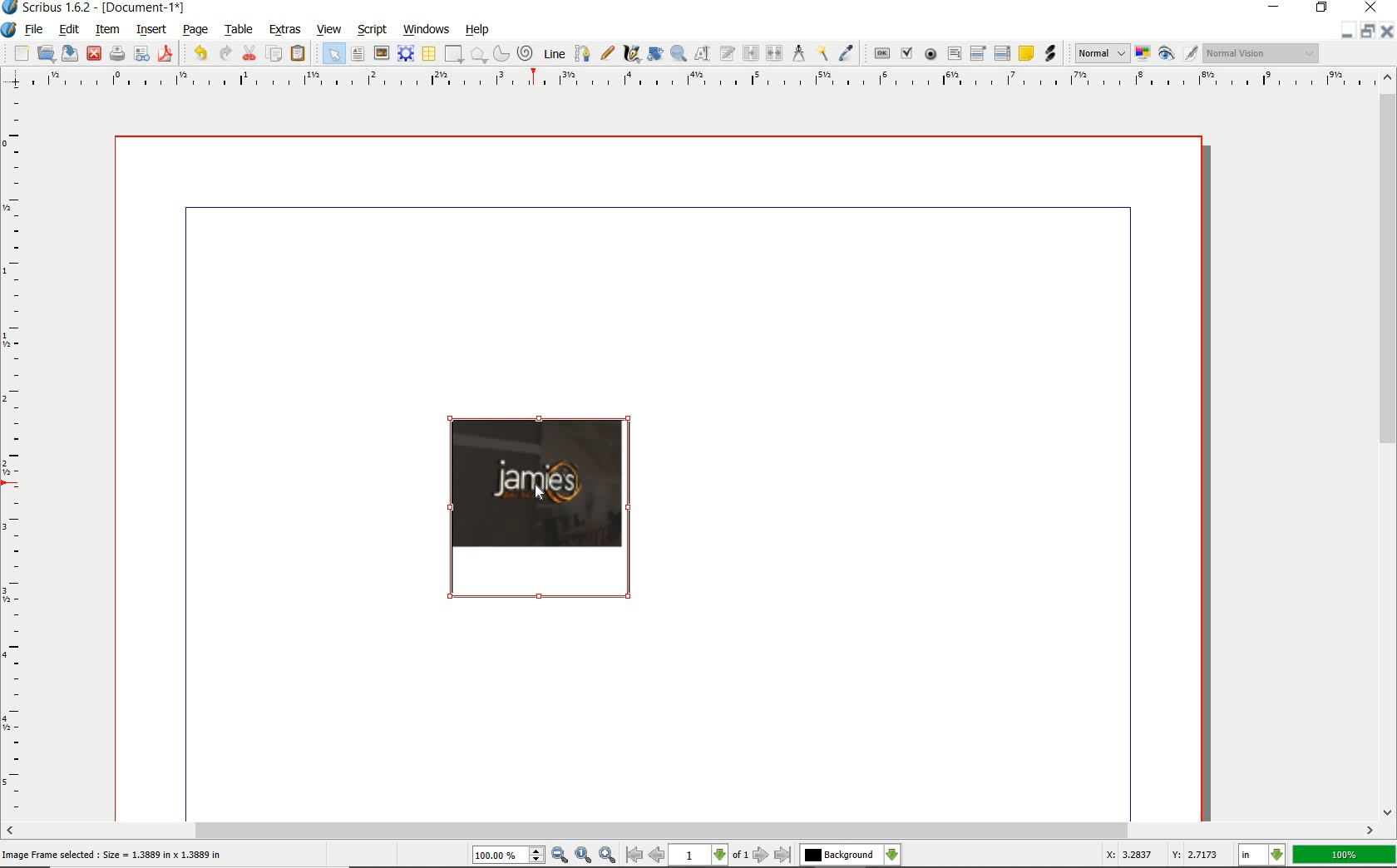  I want to click on file, so click(36, 29).